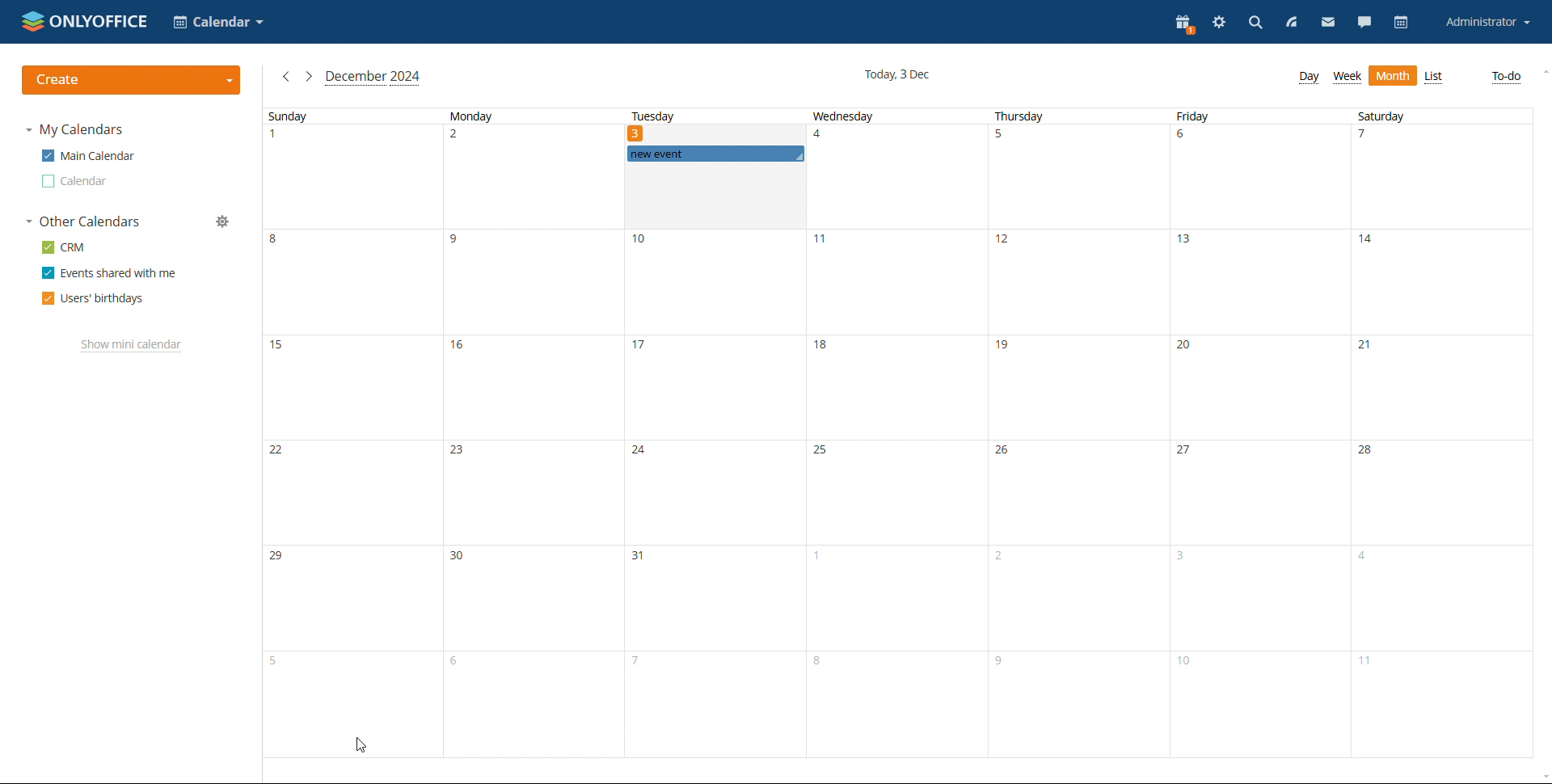 This screenshot has width=1552, height=784. I want to click on to-do, so click(1506, 76).